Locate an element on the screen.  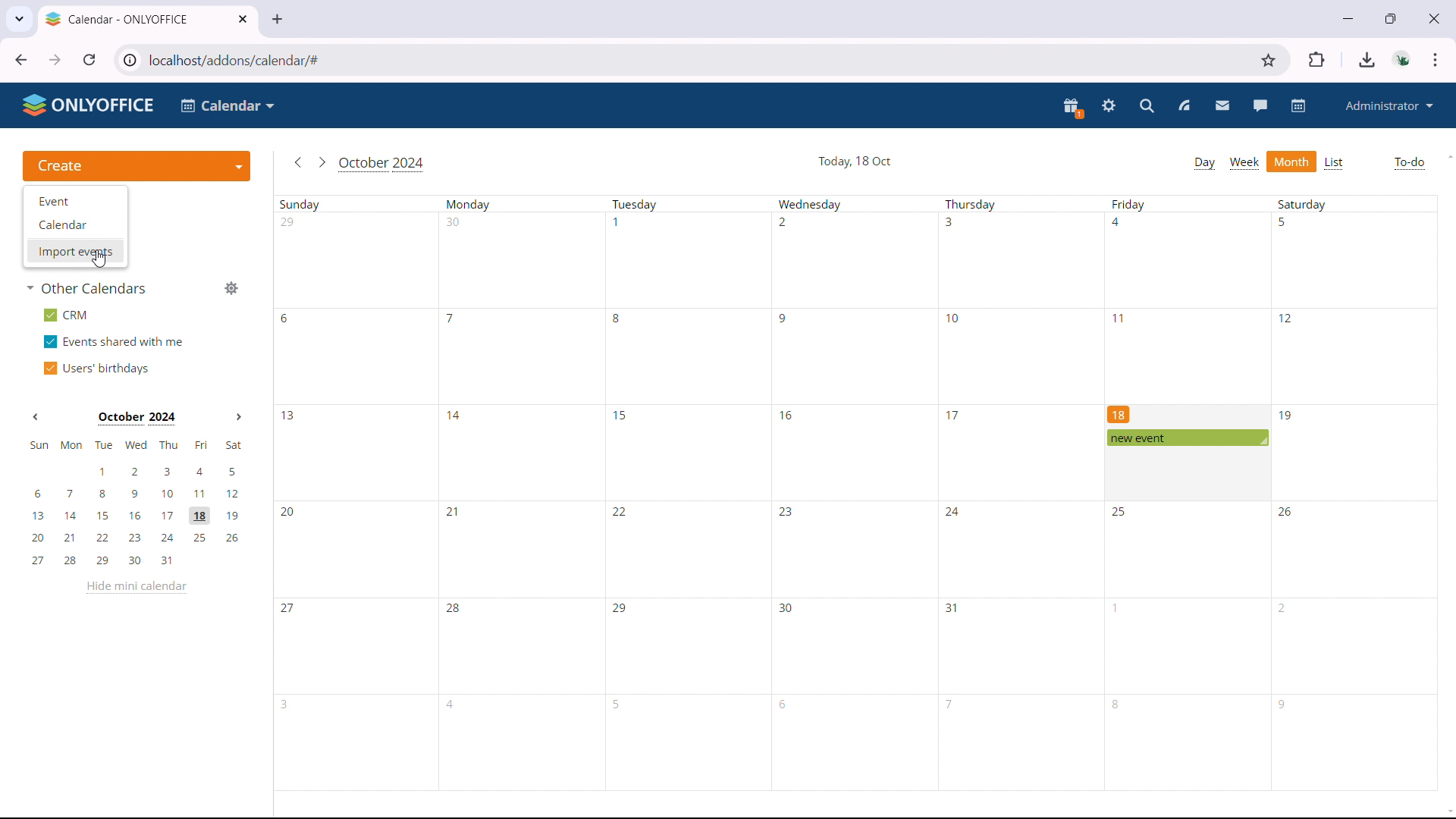
search tabs is located at coordinates (19, 17).